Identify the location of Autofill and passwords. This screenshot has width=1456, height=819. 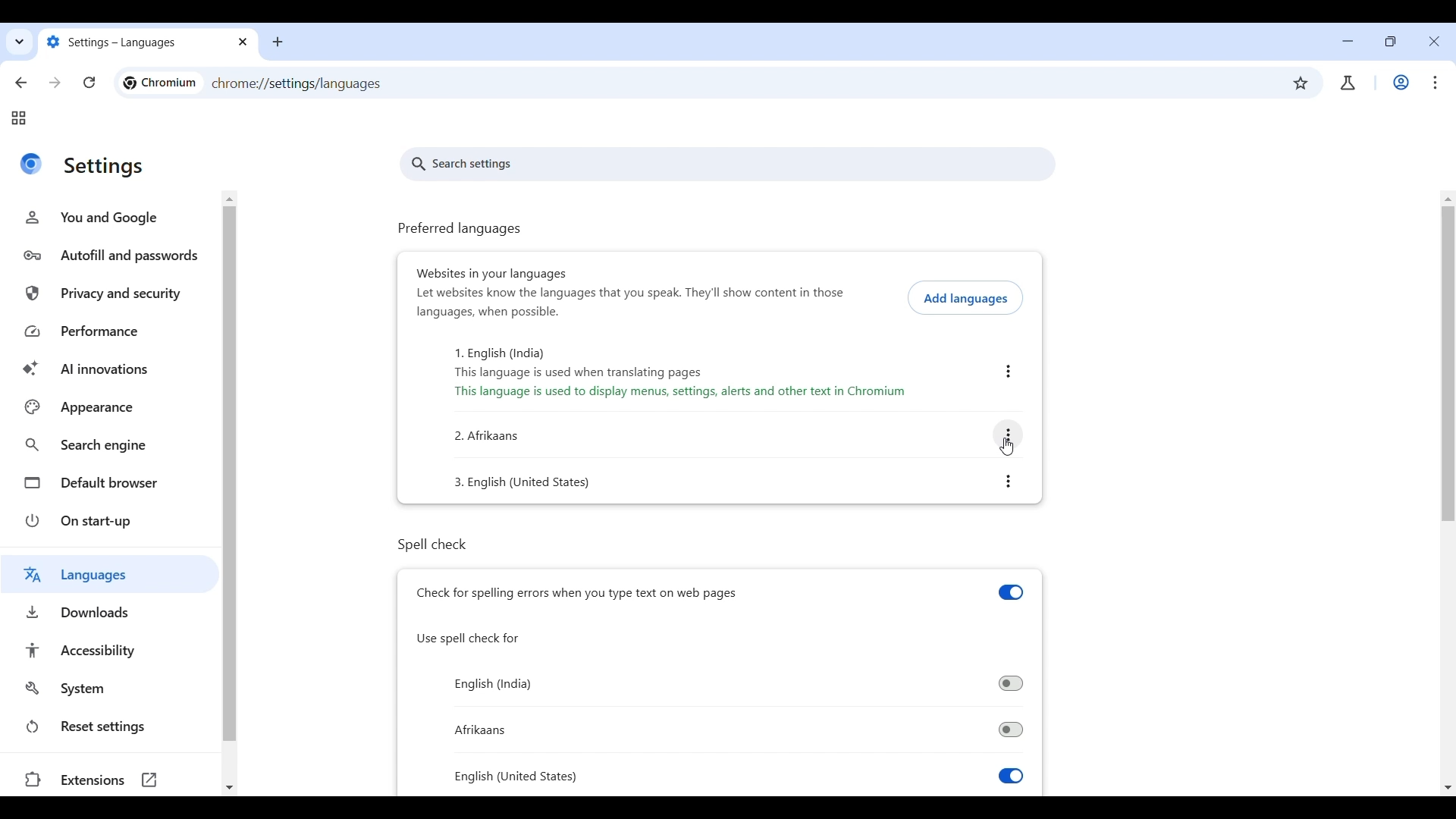
(111, 256).